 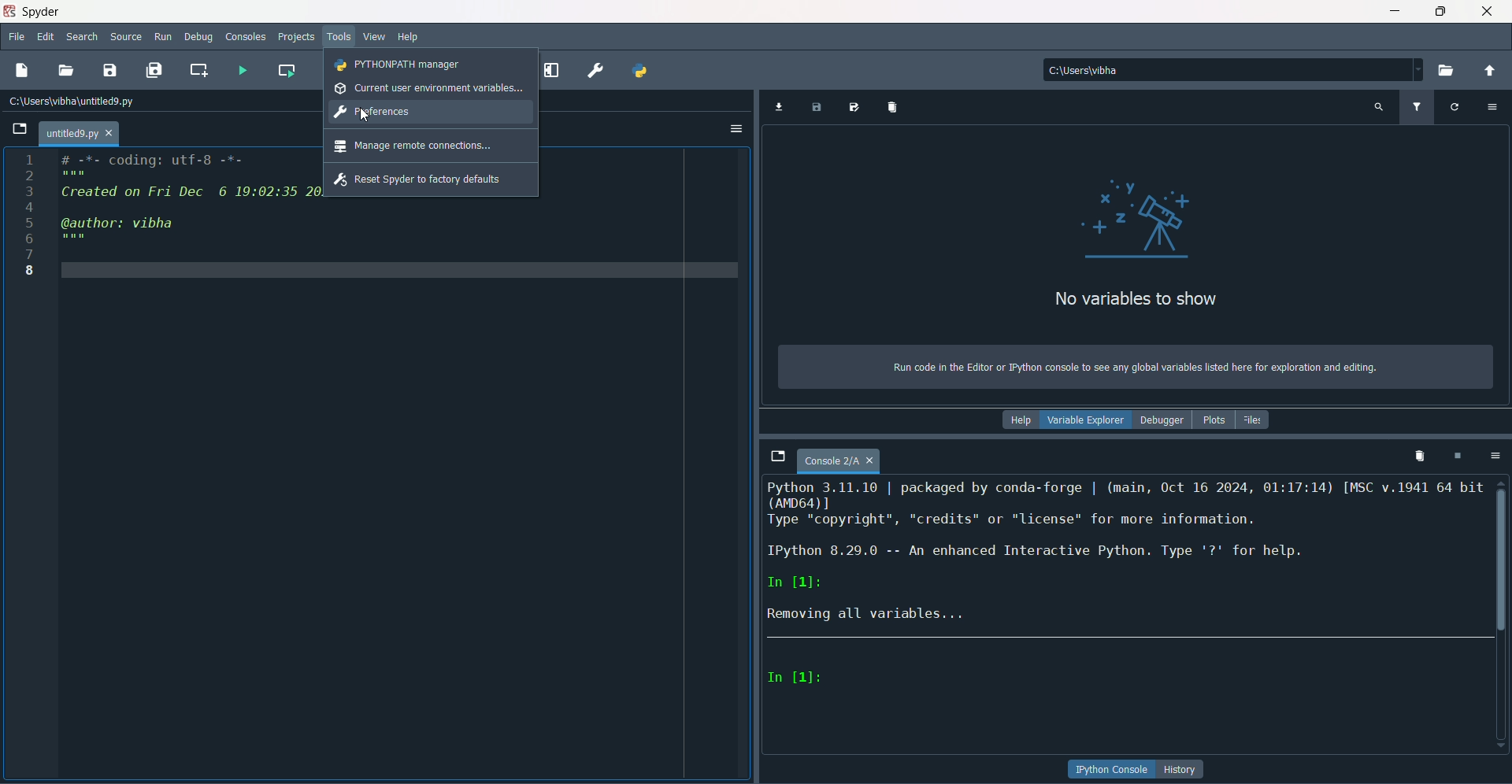 I want to click on edit, so click(x=46, y=38).